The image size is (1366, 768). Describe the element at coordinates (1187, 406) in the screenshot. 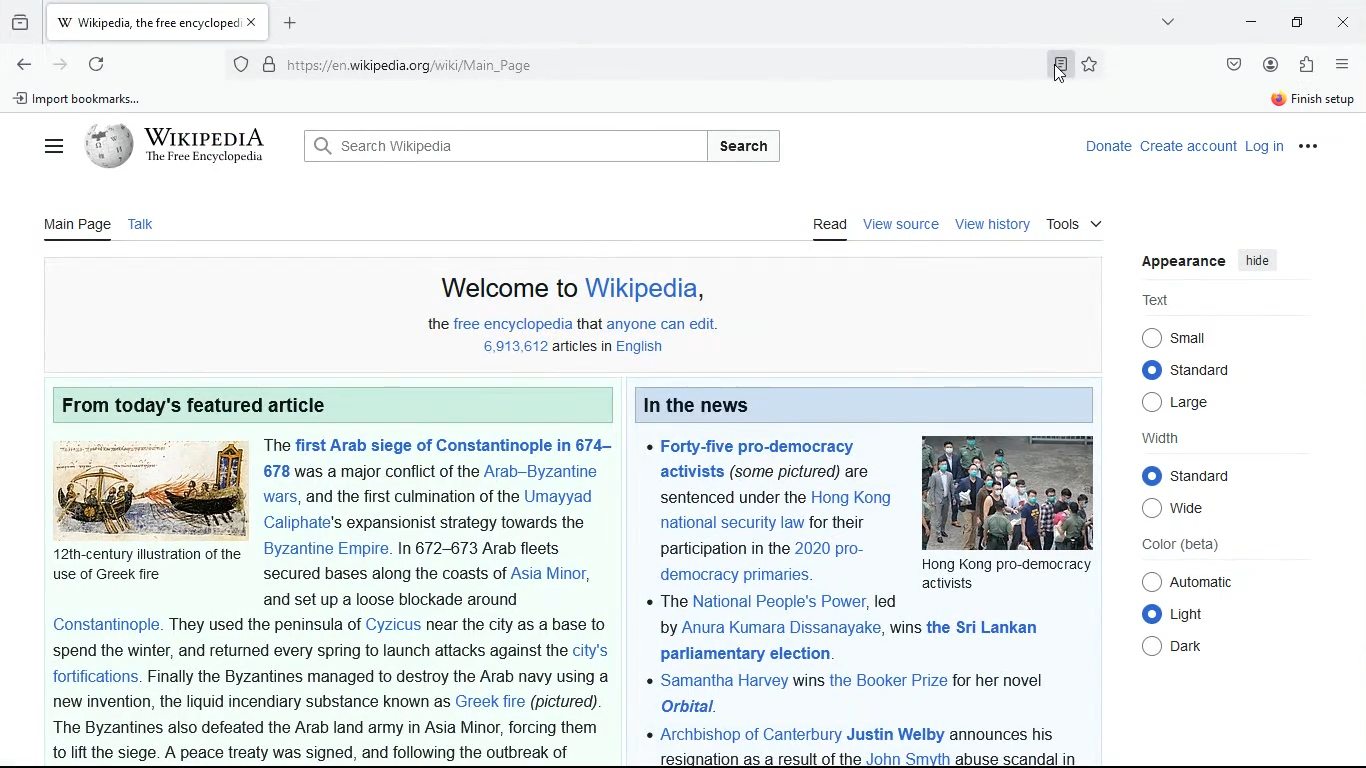

I see `large` at that location.